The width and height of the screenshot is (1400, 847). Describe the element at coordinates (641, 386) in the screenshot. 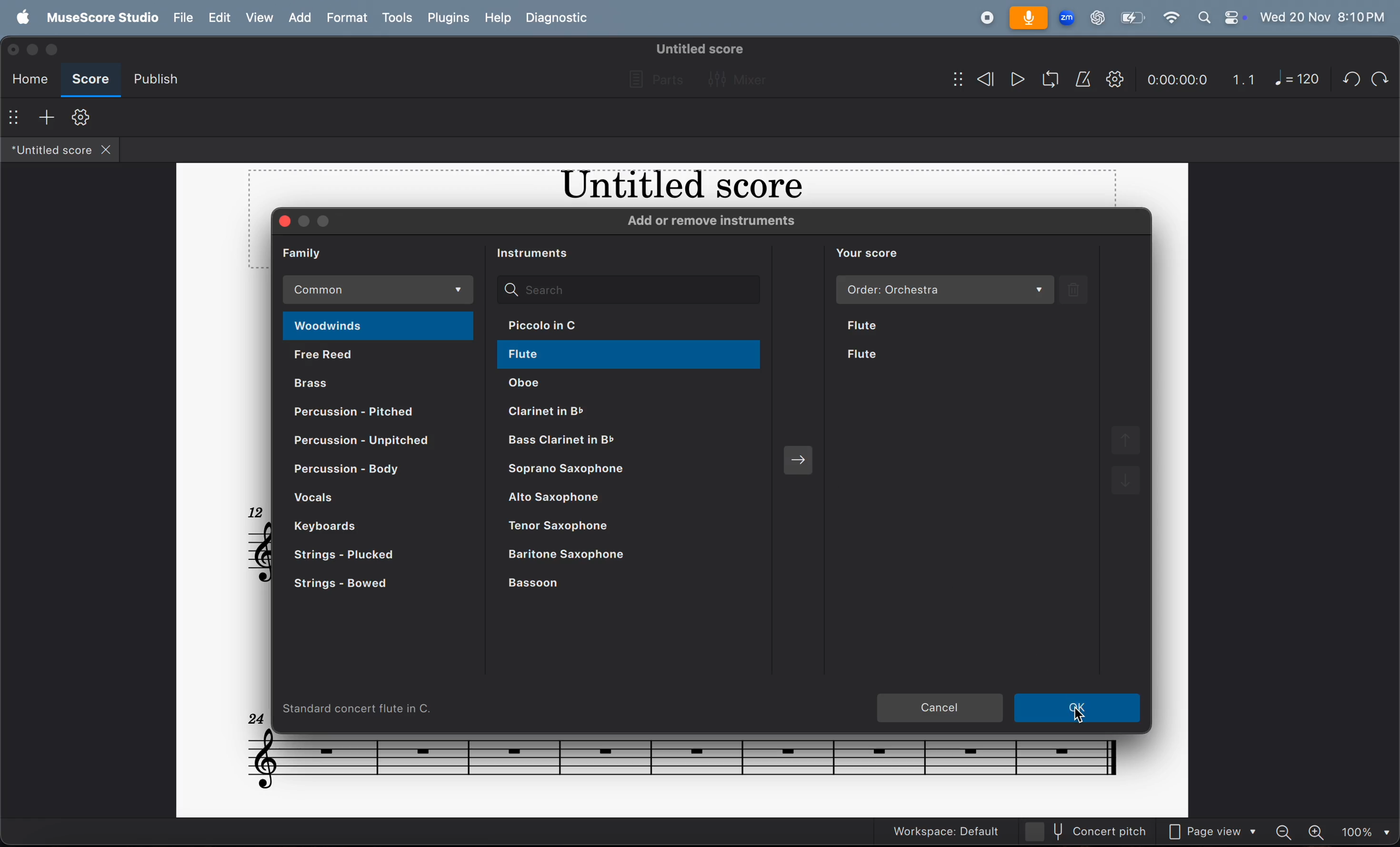

I see `oboe` at that location.